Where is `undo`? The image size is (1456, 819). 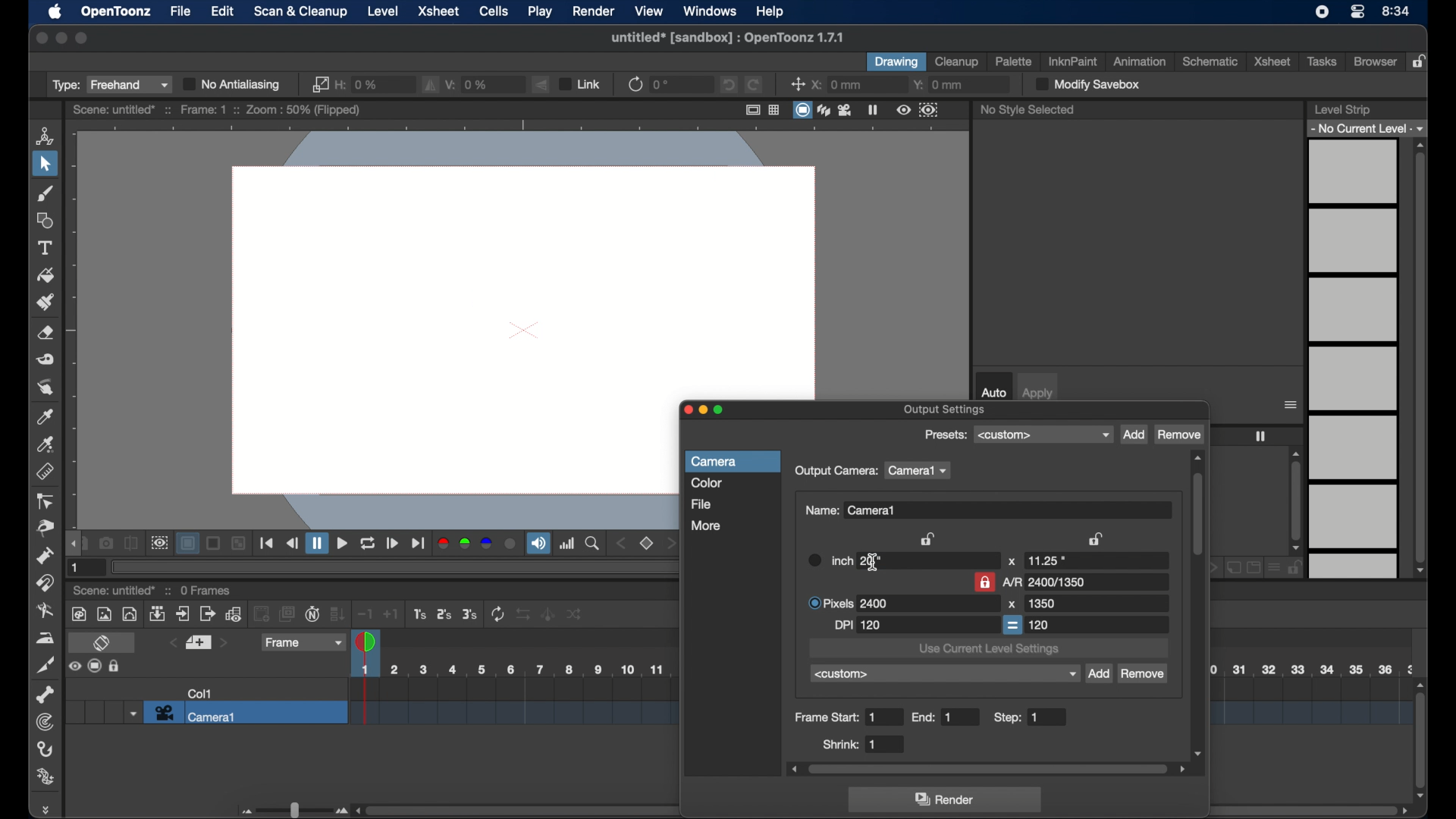 undo is located at coordinates (727, 84).